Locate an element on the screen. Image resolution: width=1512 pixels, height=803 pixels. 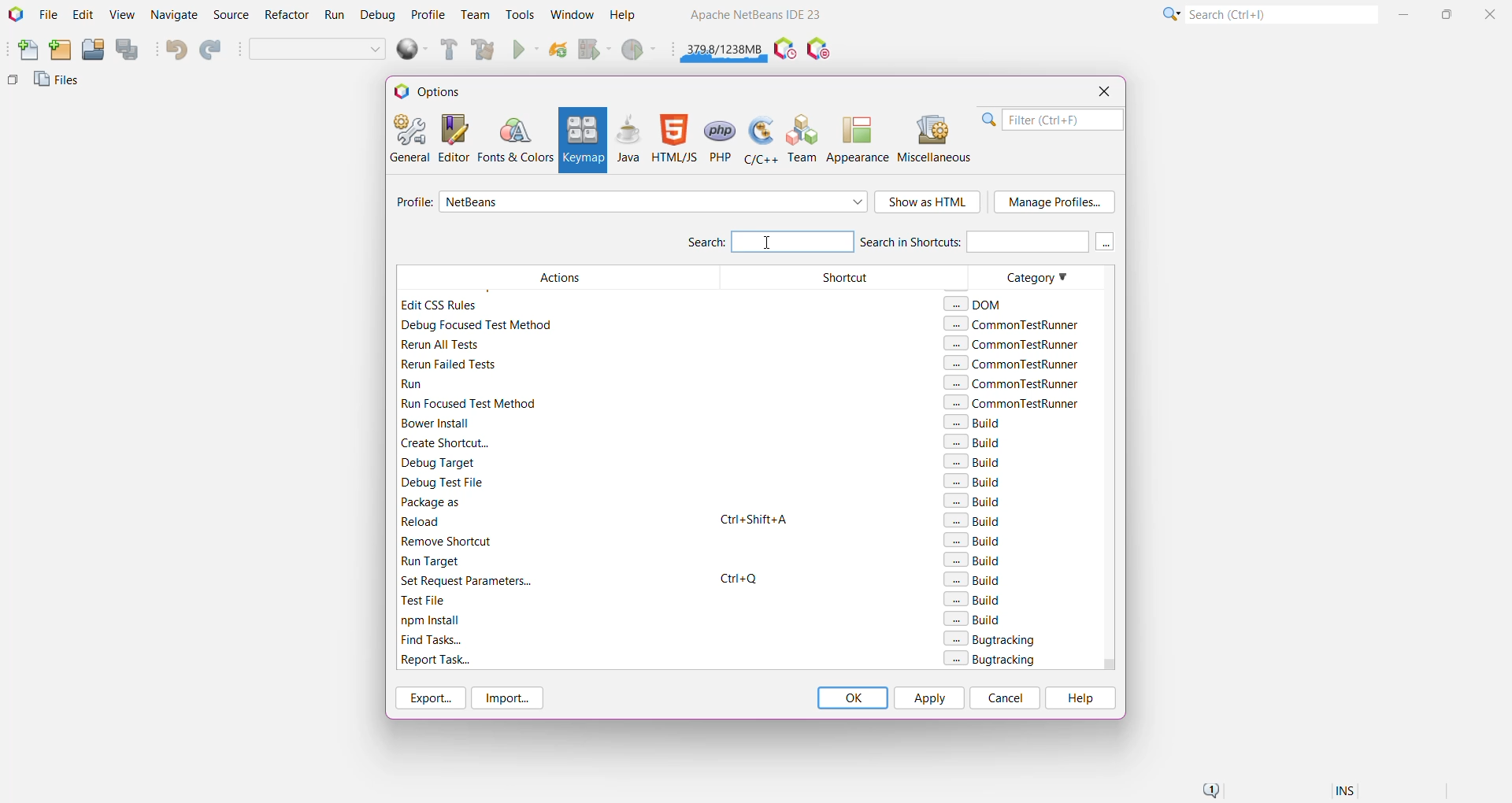
Search in Shortcuts is located at coordinates (973, 241).